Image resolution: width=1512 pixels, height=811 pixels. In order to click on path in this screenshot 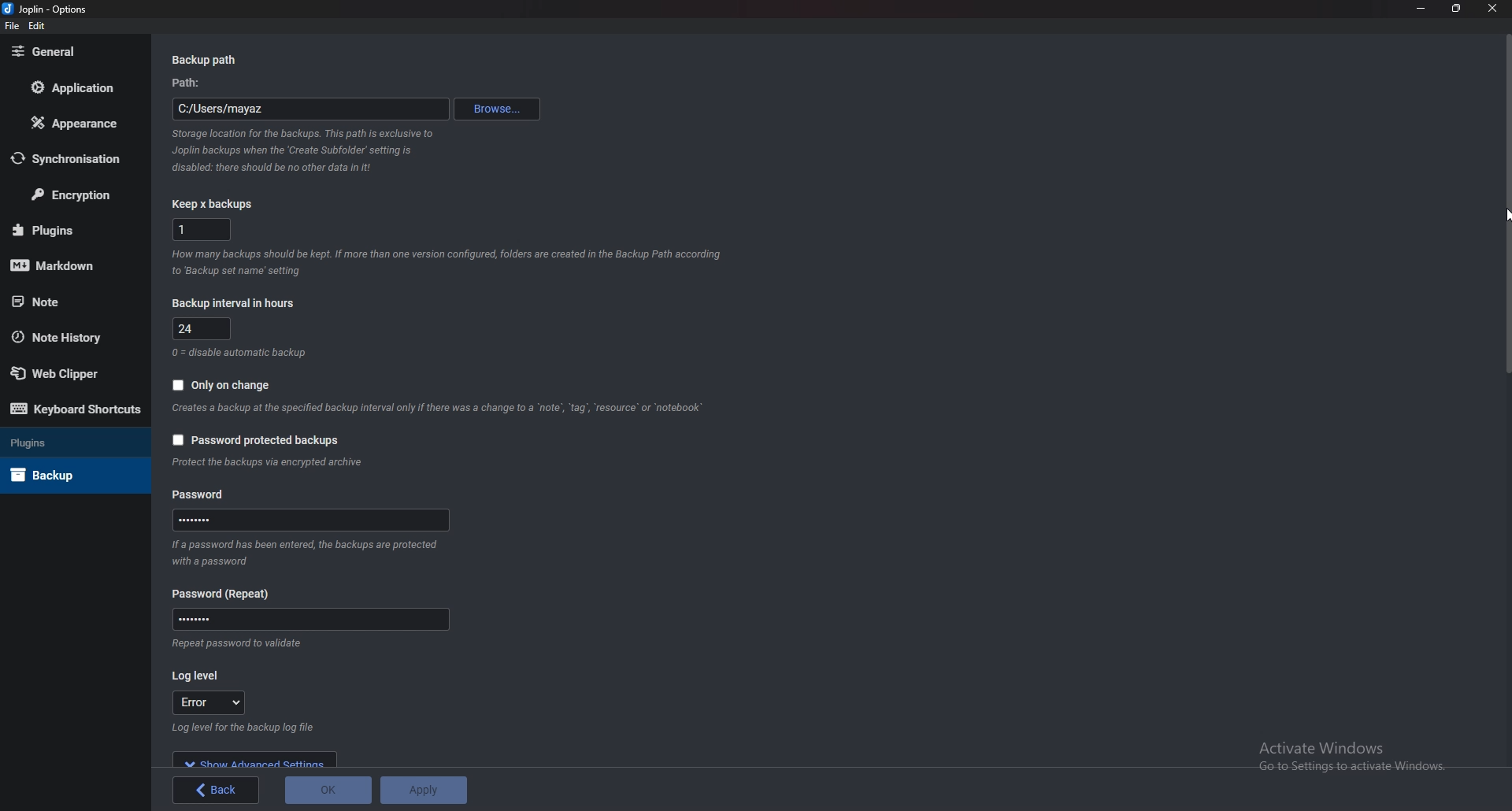, I will do `click(191, 83)`.